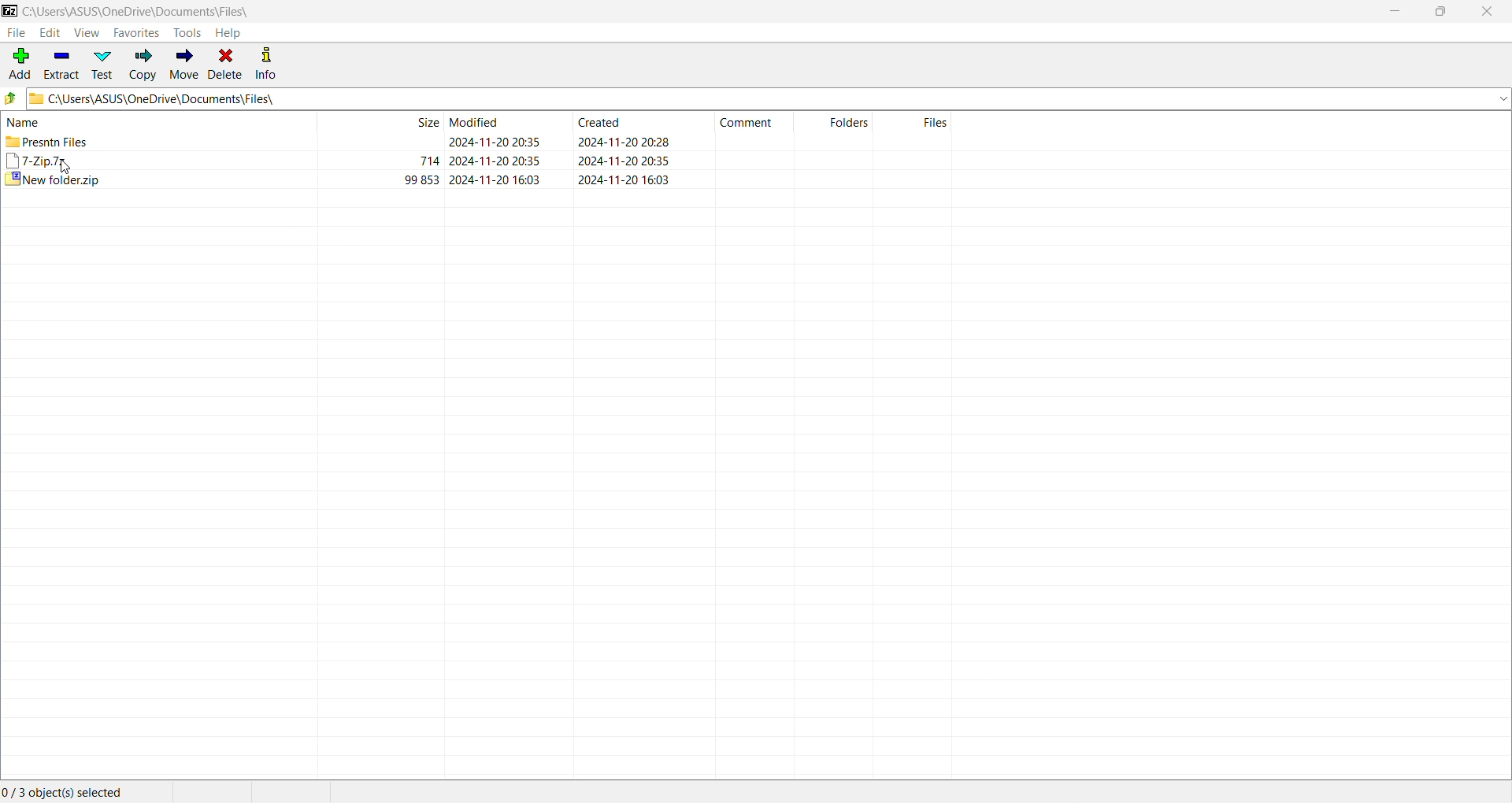  Describe the element at coordinates (61, 141) in the screenshot. I see `Presntn Files` at that location.